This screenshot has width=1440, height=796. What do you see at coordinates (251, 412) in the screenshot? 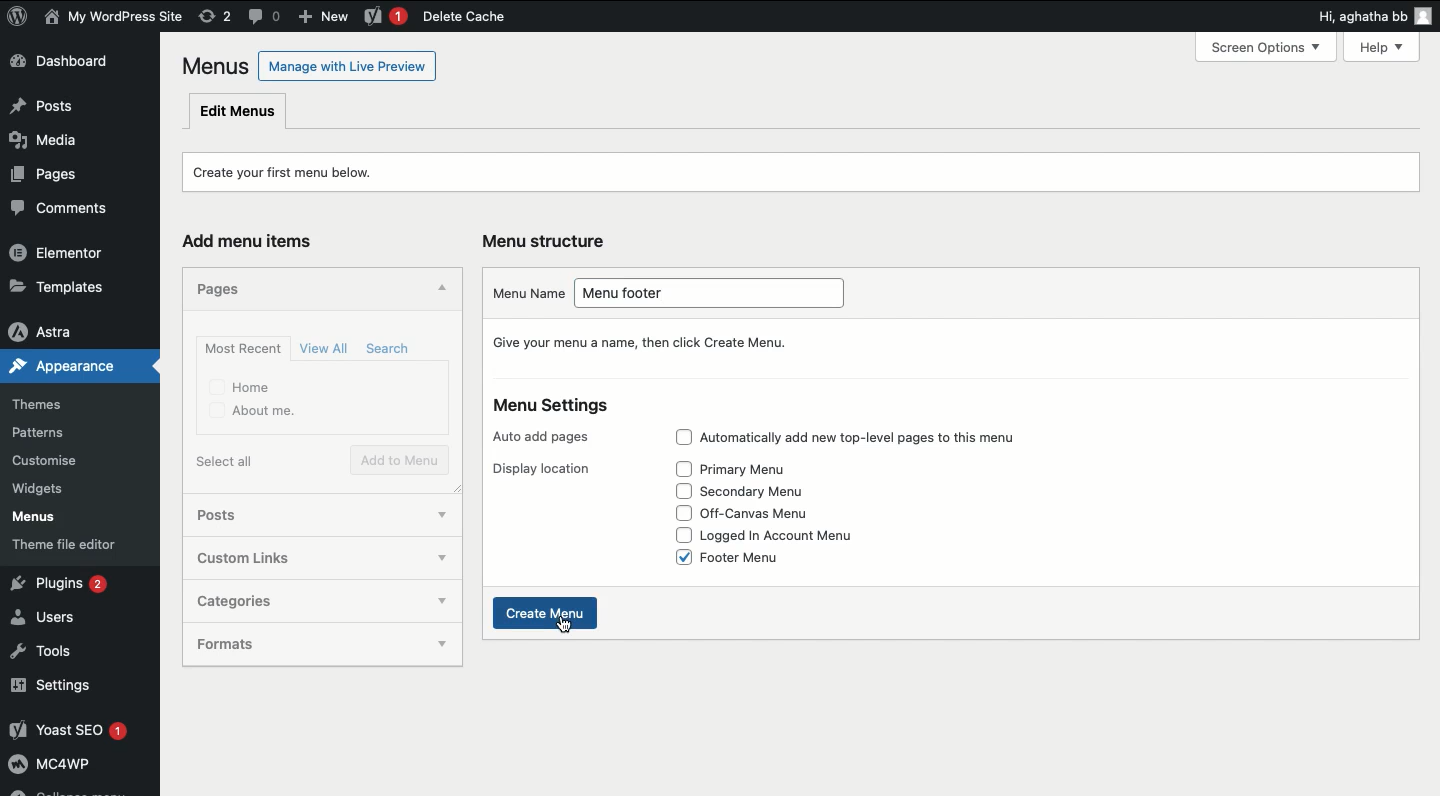
I see `About me.` at bounding box center [251, 412].